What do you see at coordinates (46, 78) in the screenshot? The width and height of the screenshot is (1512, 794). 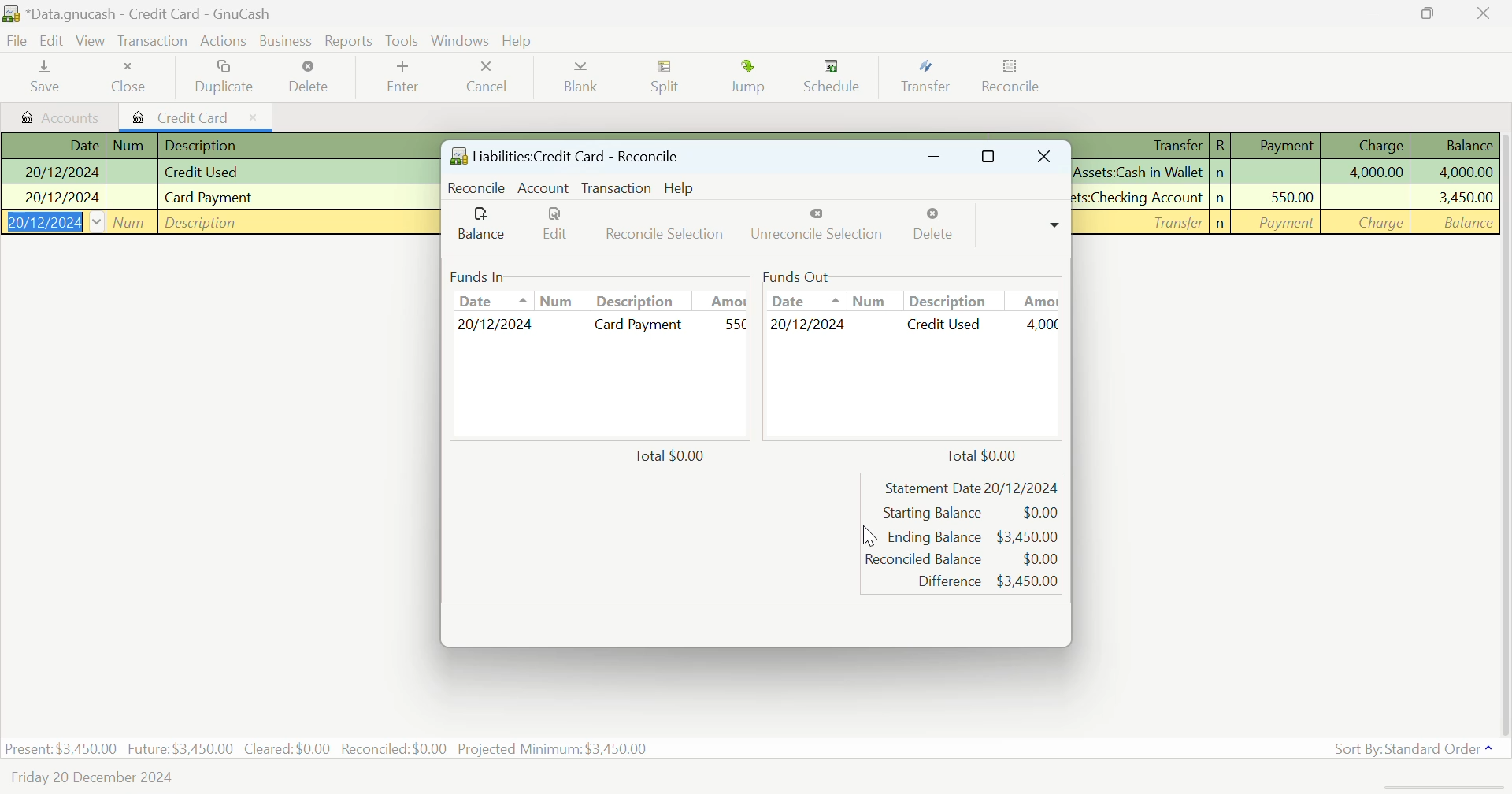 I see `Save` at bounding box center [46, 78].